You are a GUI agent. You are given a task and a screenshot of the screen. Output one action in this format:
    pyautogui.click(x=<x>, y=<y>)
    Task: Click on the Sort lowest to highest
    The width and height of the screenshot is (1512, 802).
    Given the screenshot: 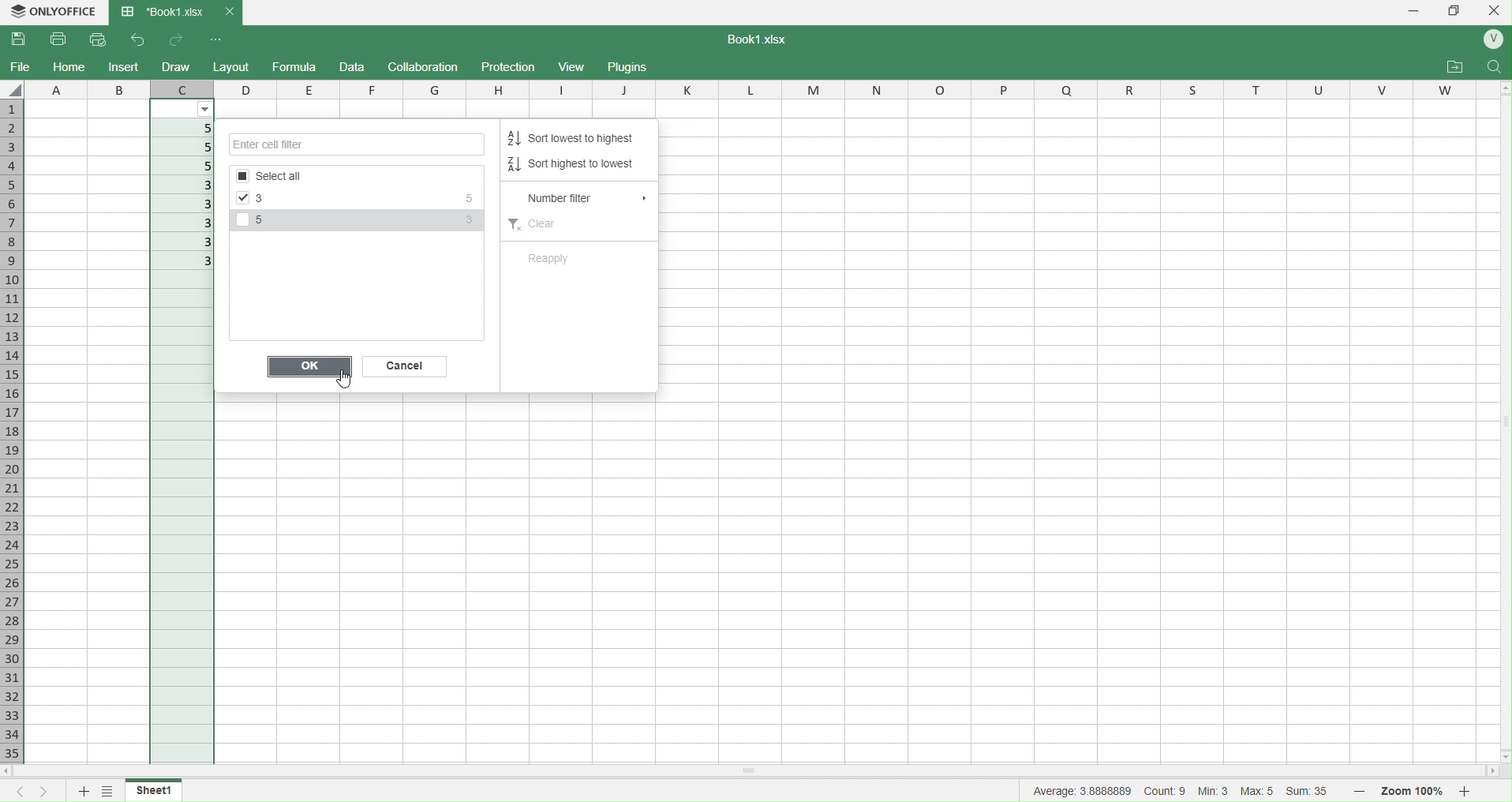 What is the action you would take?
    pyautogui.click(x=578, y=139)
    